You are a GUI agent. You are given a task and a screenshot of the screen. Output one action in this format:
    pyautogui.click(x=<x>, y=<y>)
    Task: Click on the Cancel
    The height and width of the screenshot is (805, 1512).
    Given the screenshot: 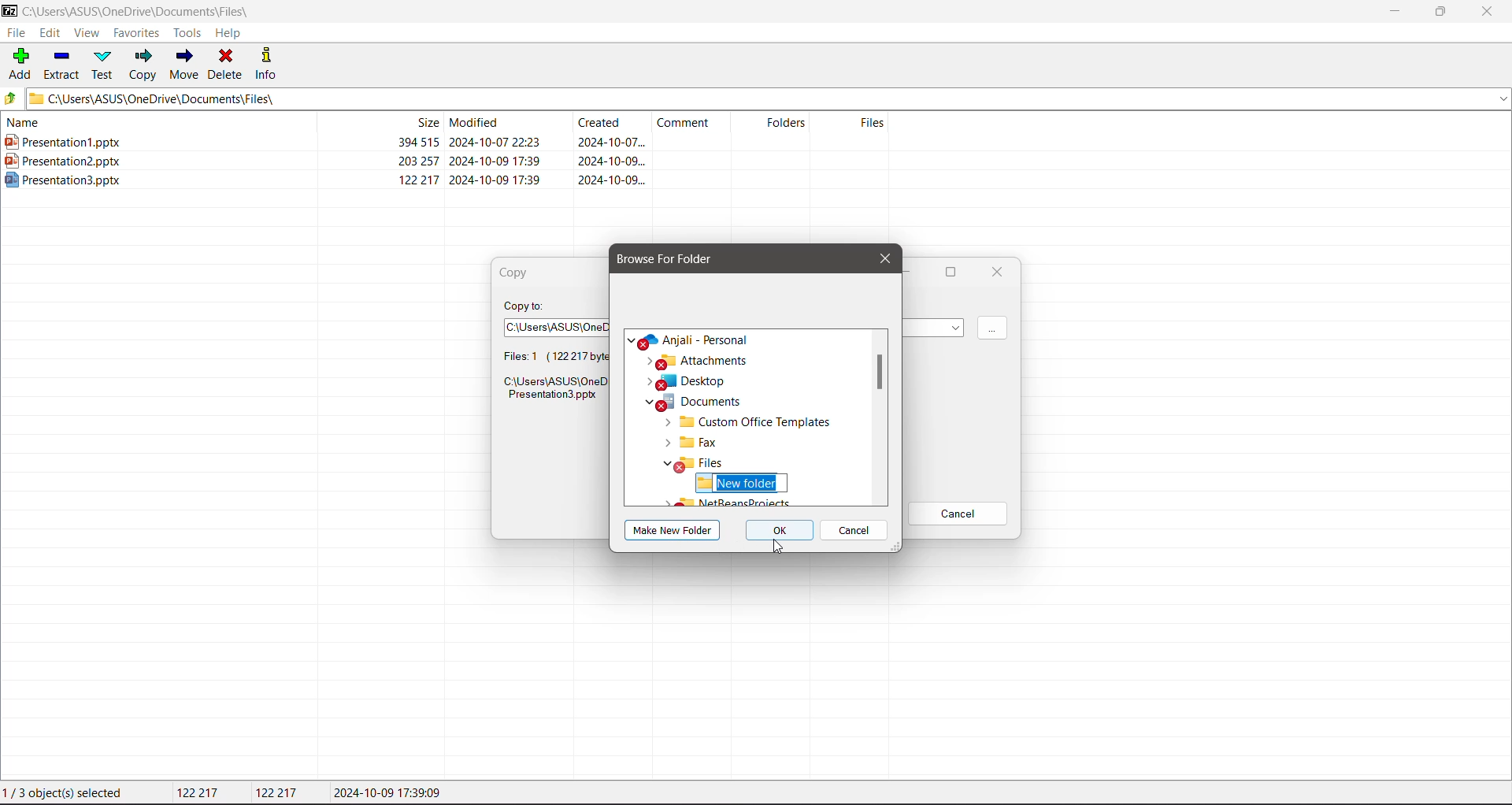 What is the action you would take?
    pyautogui.click(x=958, y=514)
    